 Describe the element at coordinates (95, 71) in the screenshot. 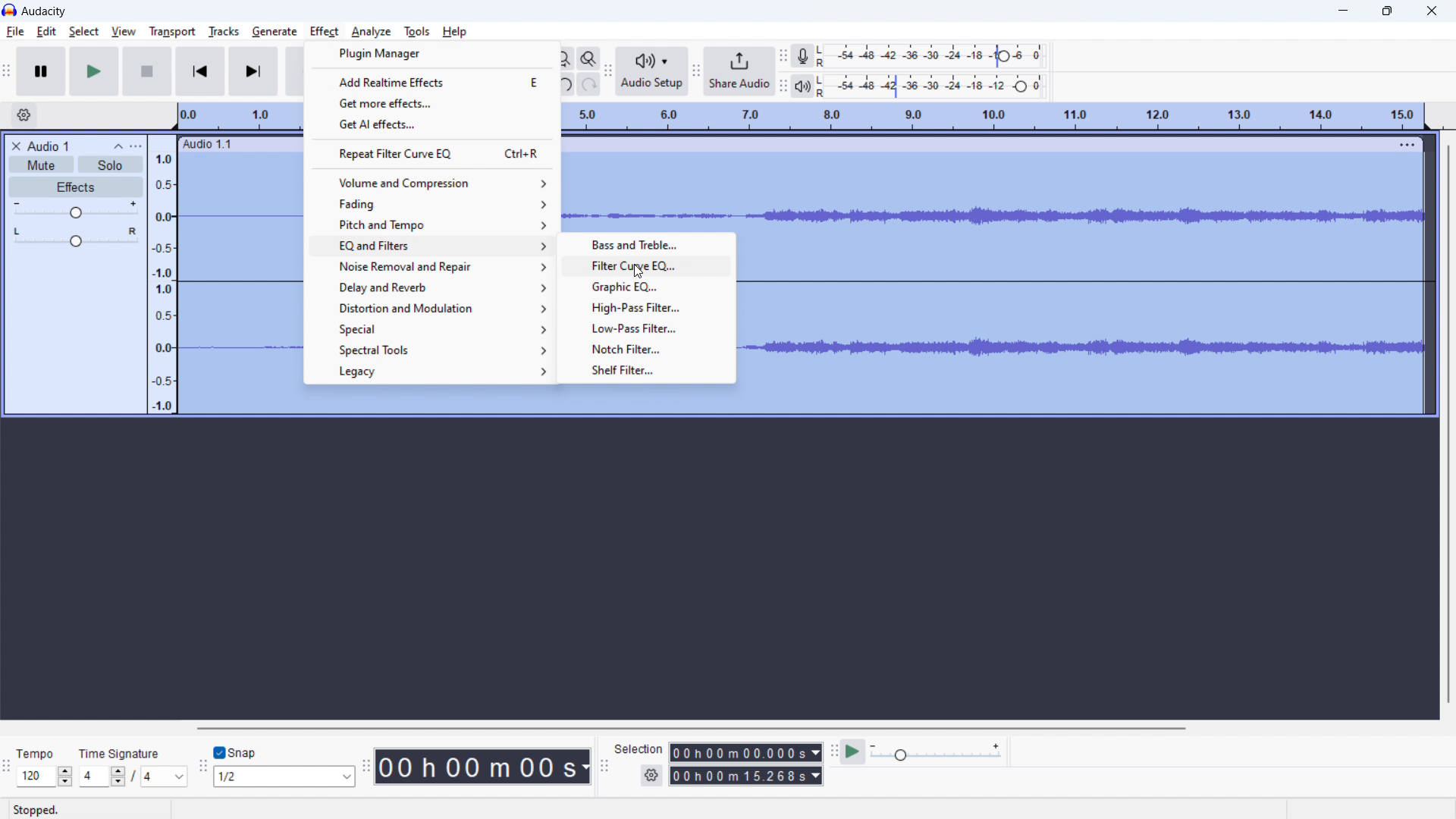

I see `play` at that location.